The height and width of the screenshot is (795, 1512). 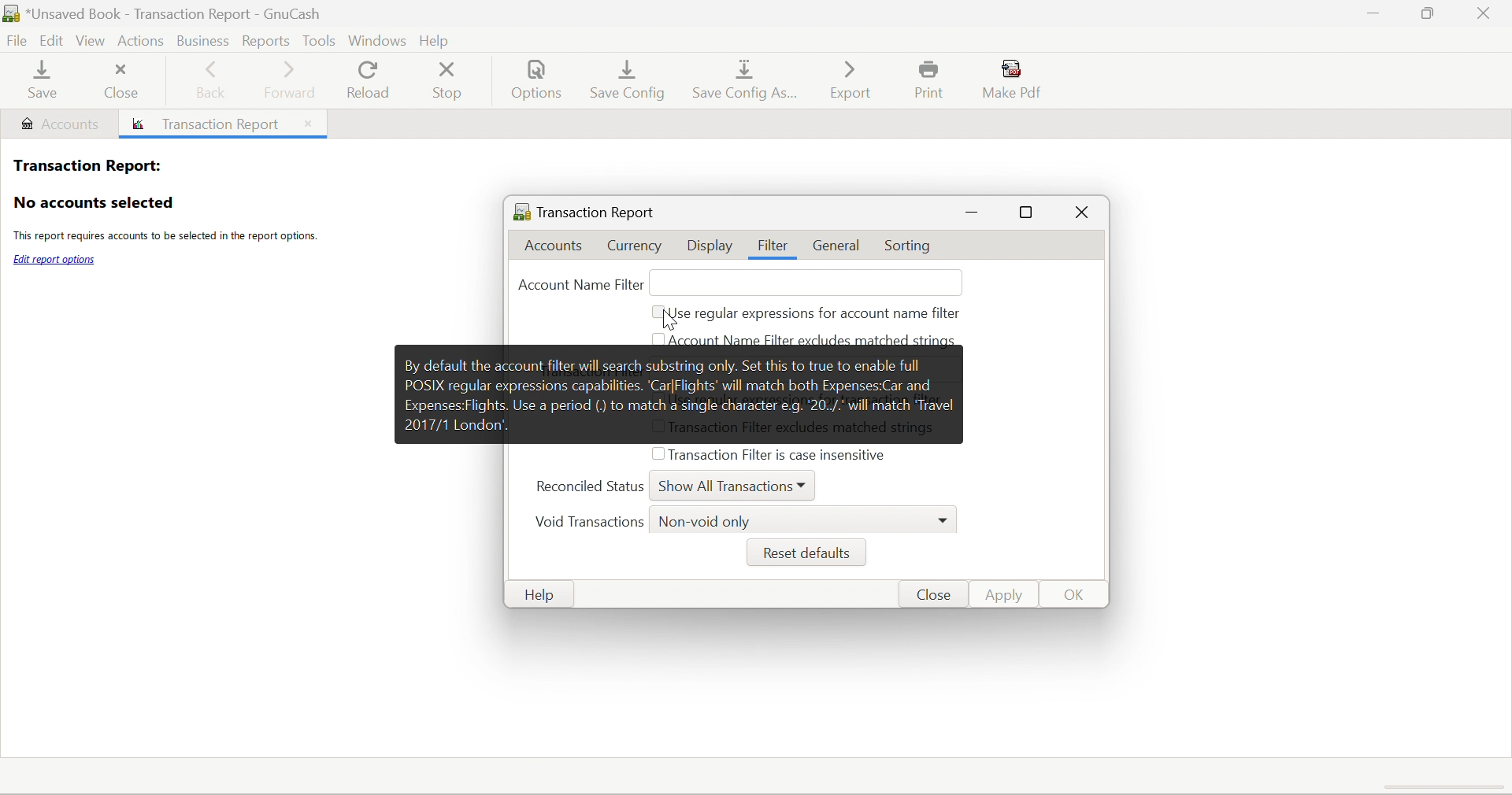 I want to click on help , so click(x=439, y=38).